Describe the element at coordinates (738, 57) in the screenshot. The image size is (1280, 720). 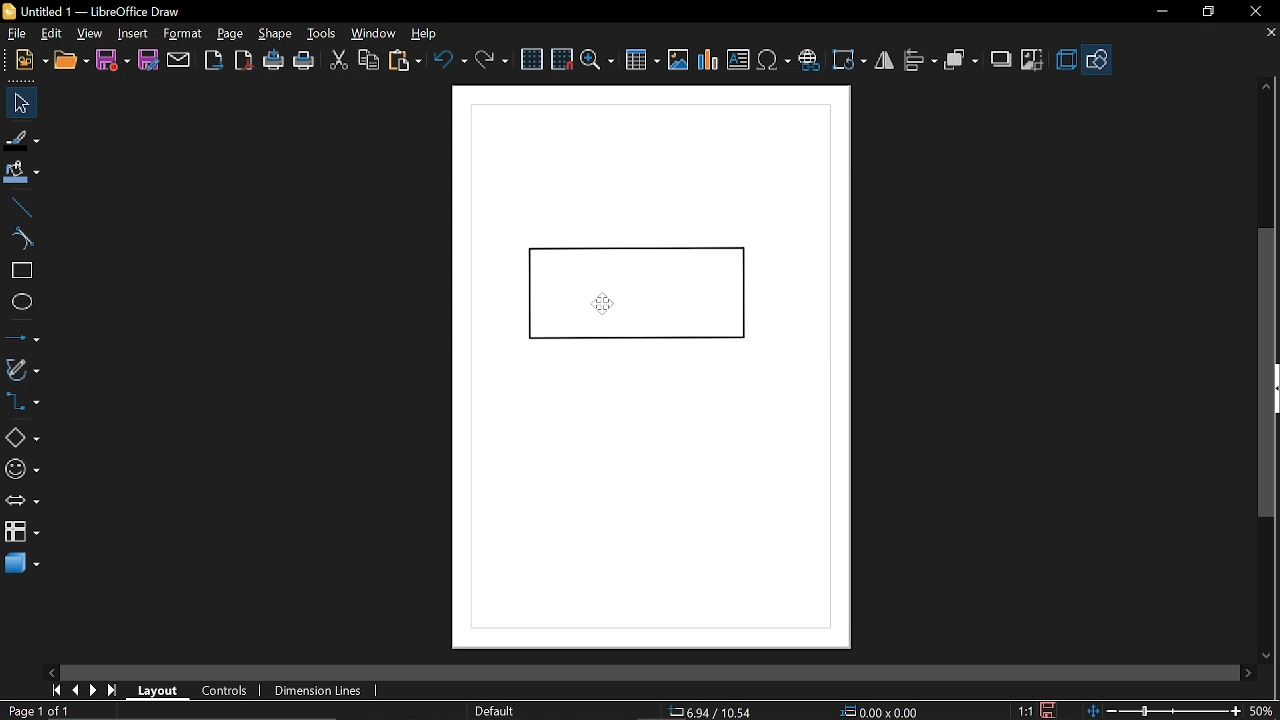
I see `Insert text` at that location.